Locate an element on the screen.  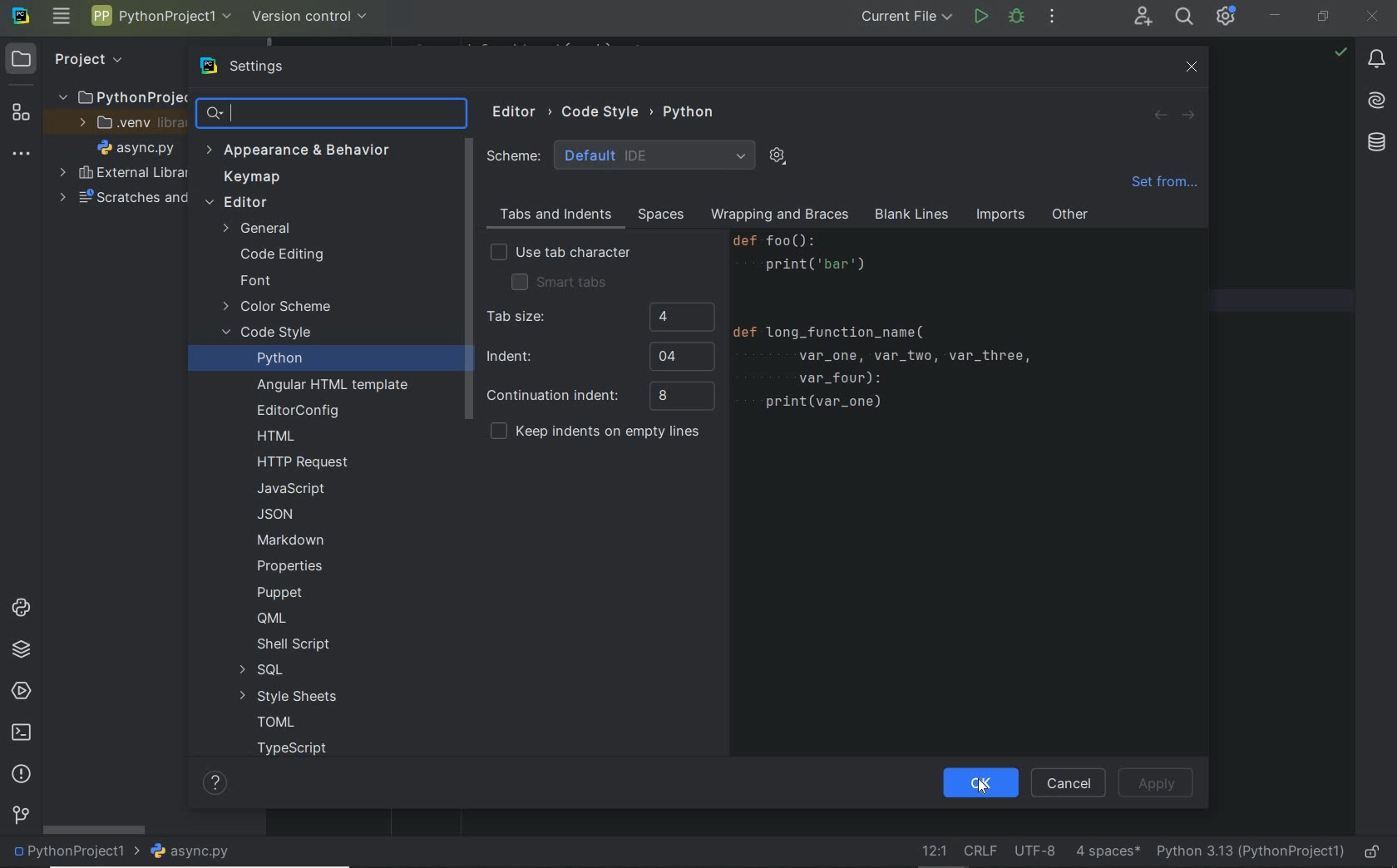
CODE STYLE is located at coordinates (608, 110).